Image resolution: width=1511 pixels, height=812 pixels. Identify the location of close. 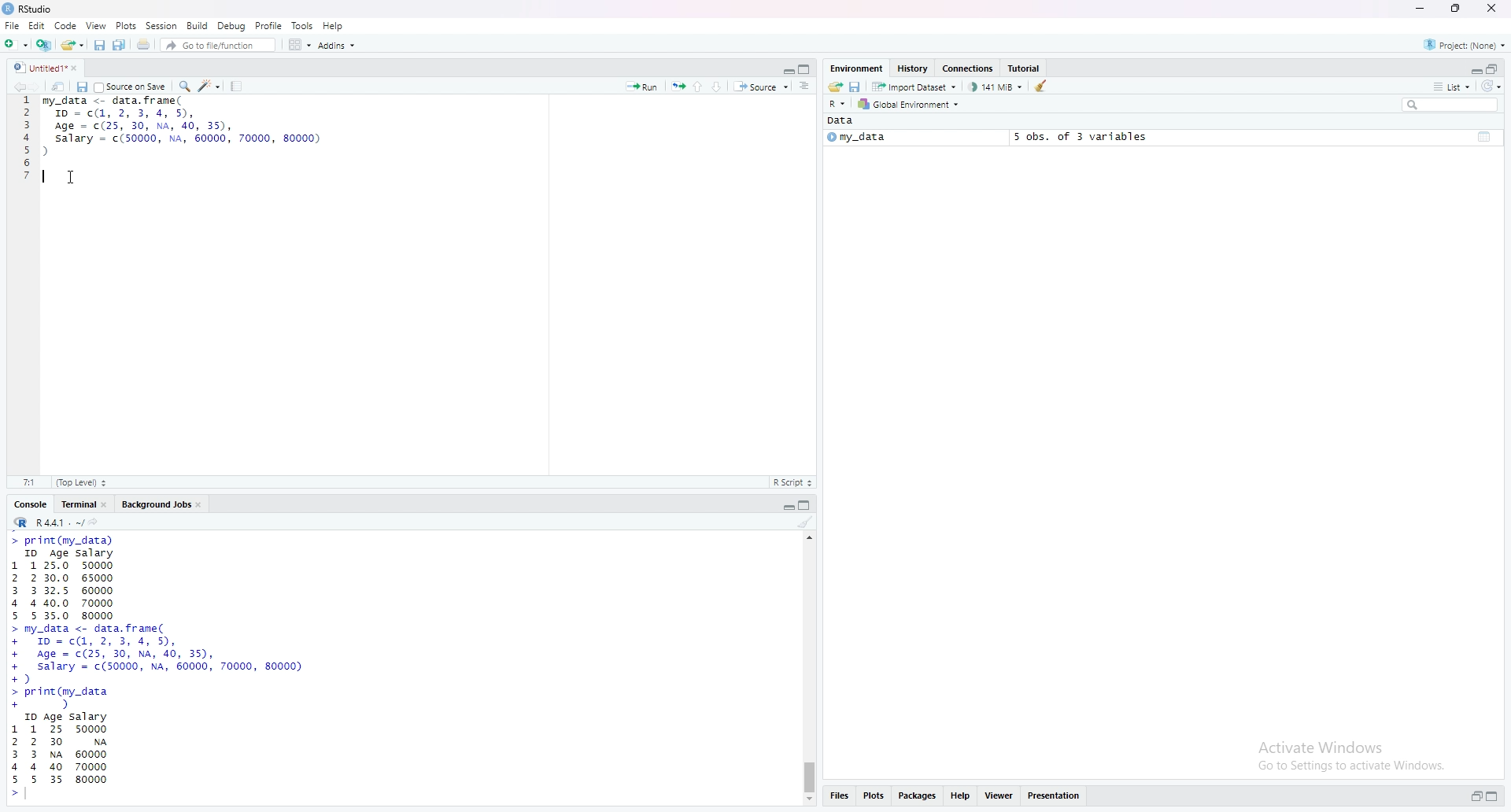
(1494, 8).